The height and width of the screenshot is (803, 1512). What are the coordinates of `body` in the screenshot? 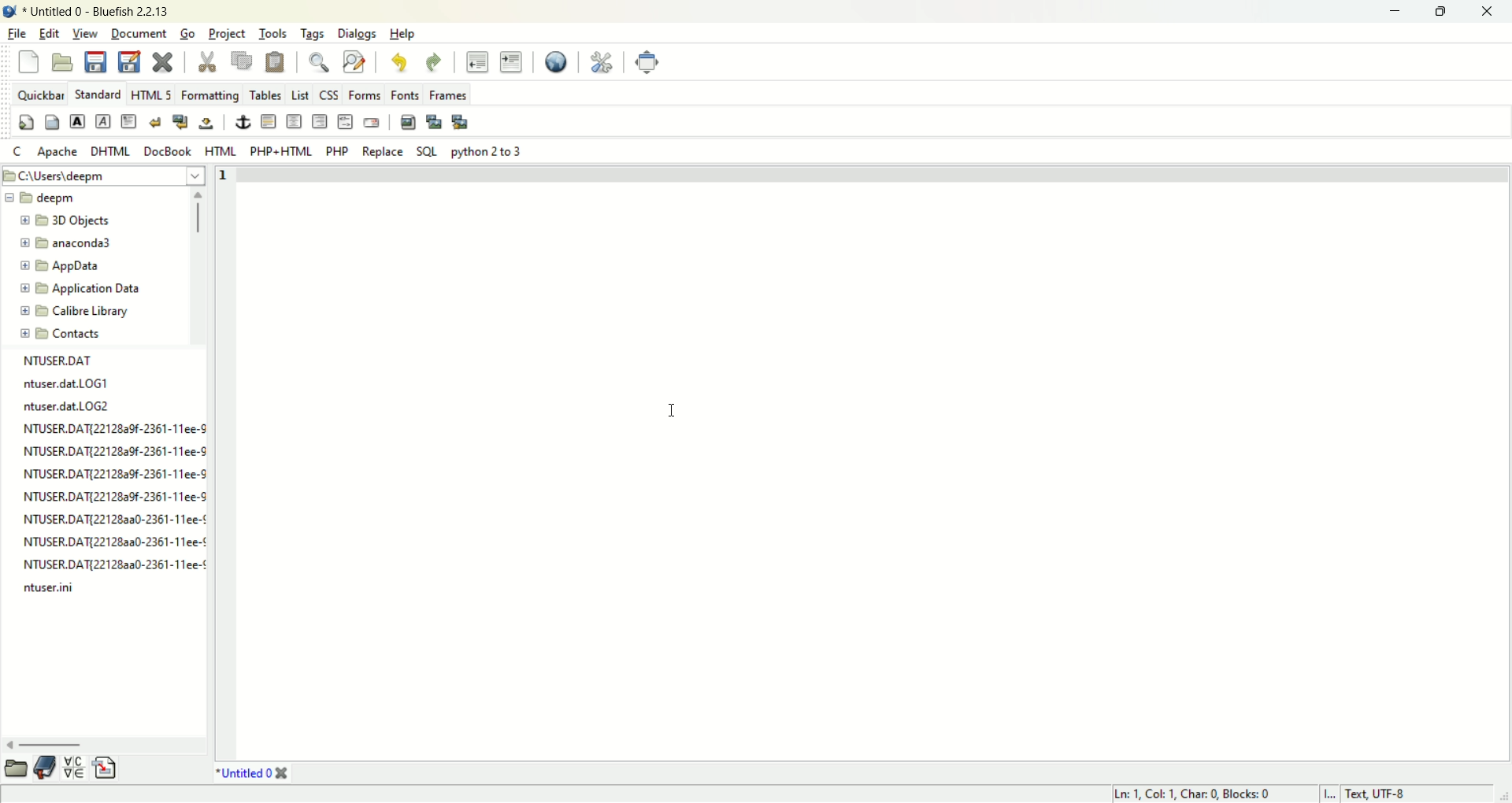 It's located at (52, 123).